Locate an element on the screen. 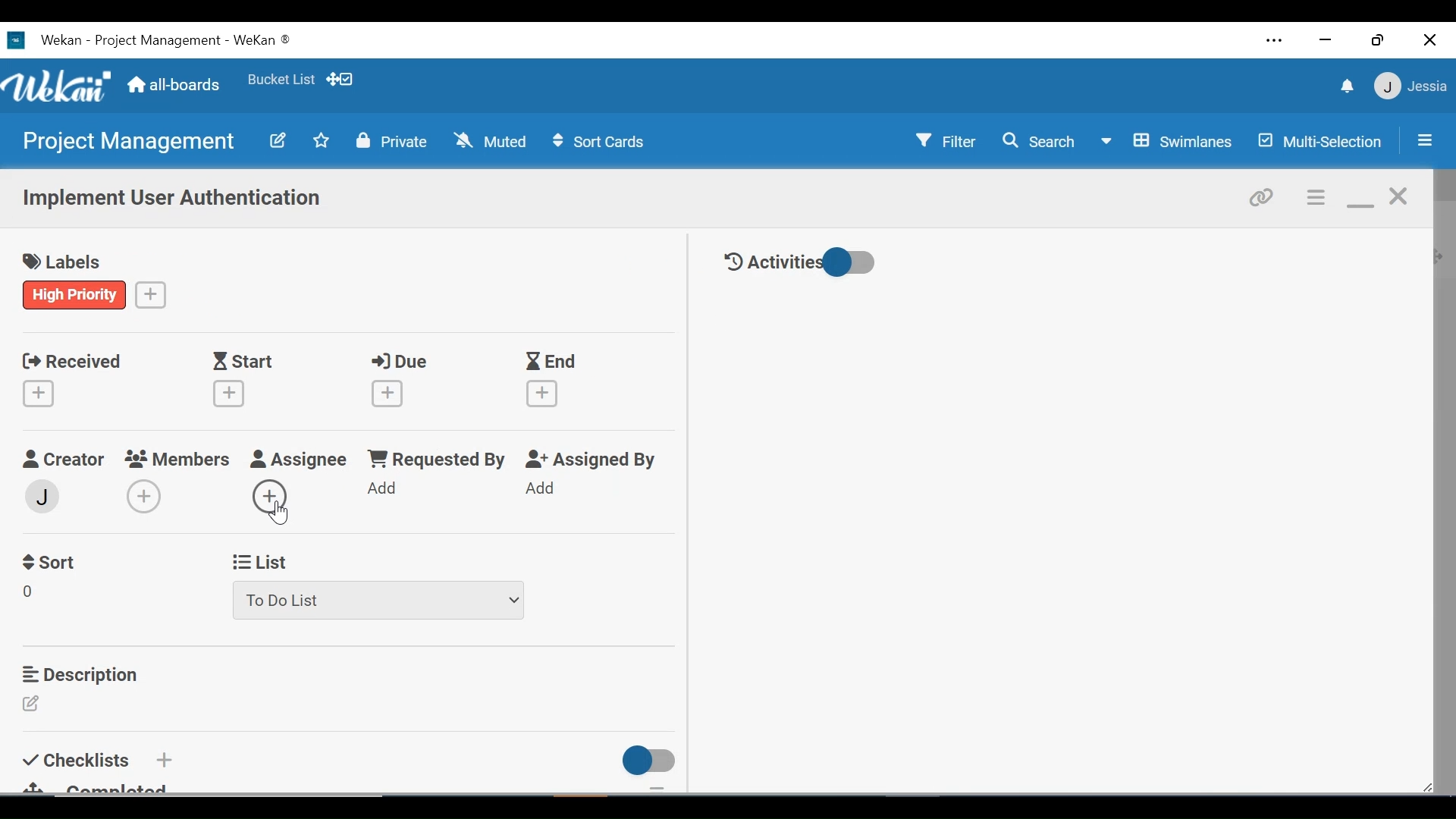 This screenshot has height=819, width=1456. close is located at coordinates (1400, 197).